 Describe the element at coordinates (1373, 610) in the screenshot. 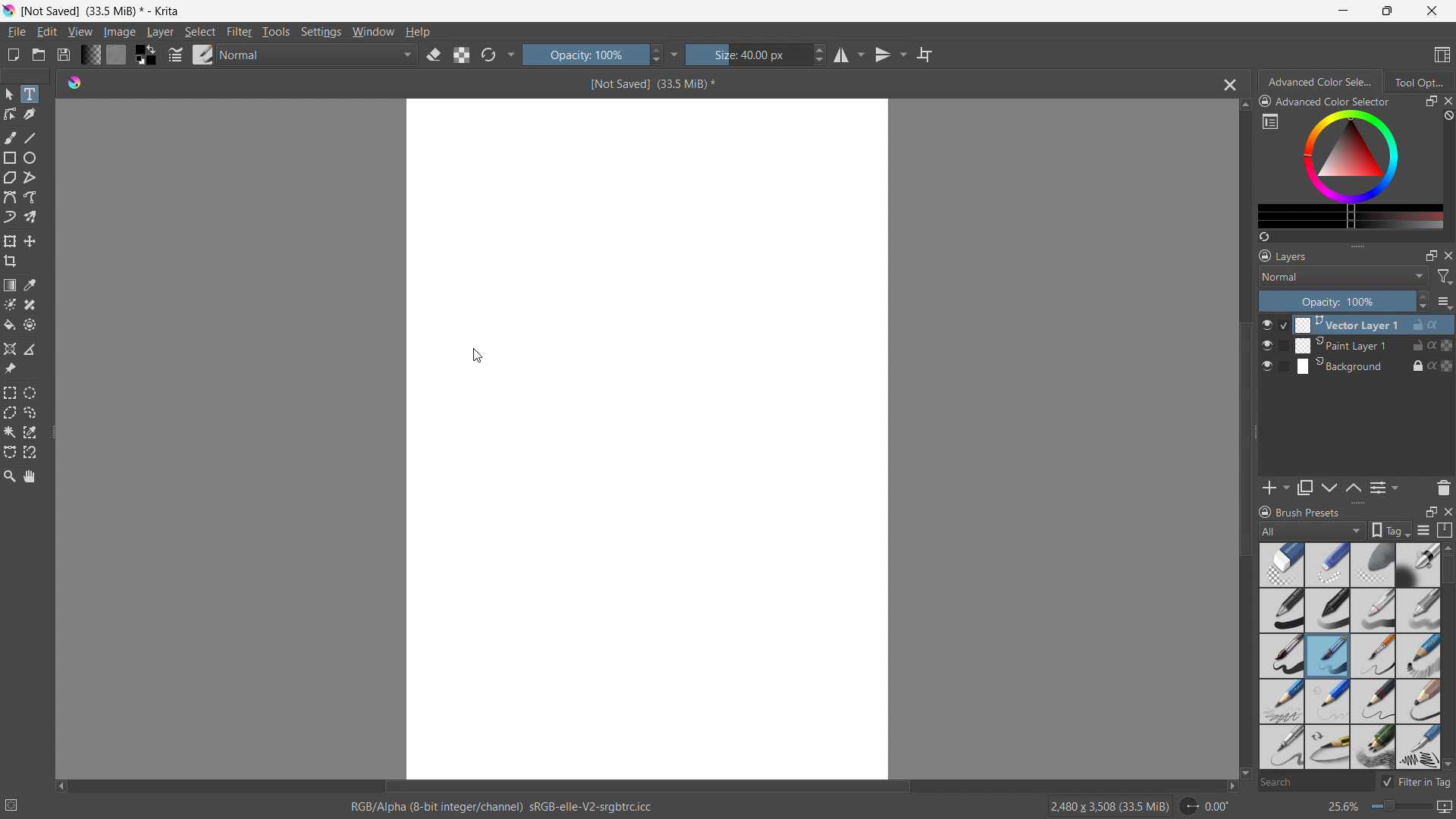

I see `pencil` at that location.